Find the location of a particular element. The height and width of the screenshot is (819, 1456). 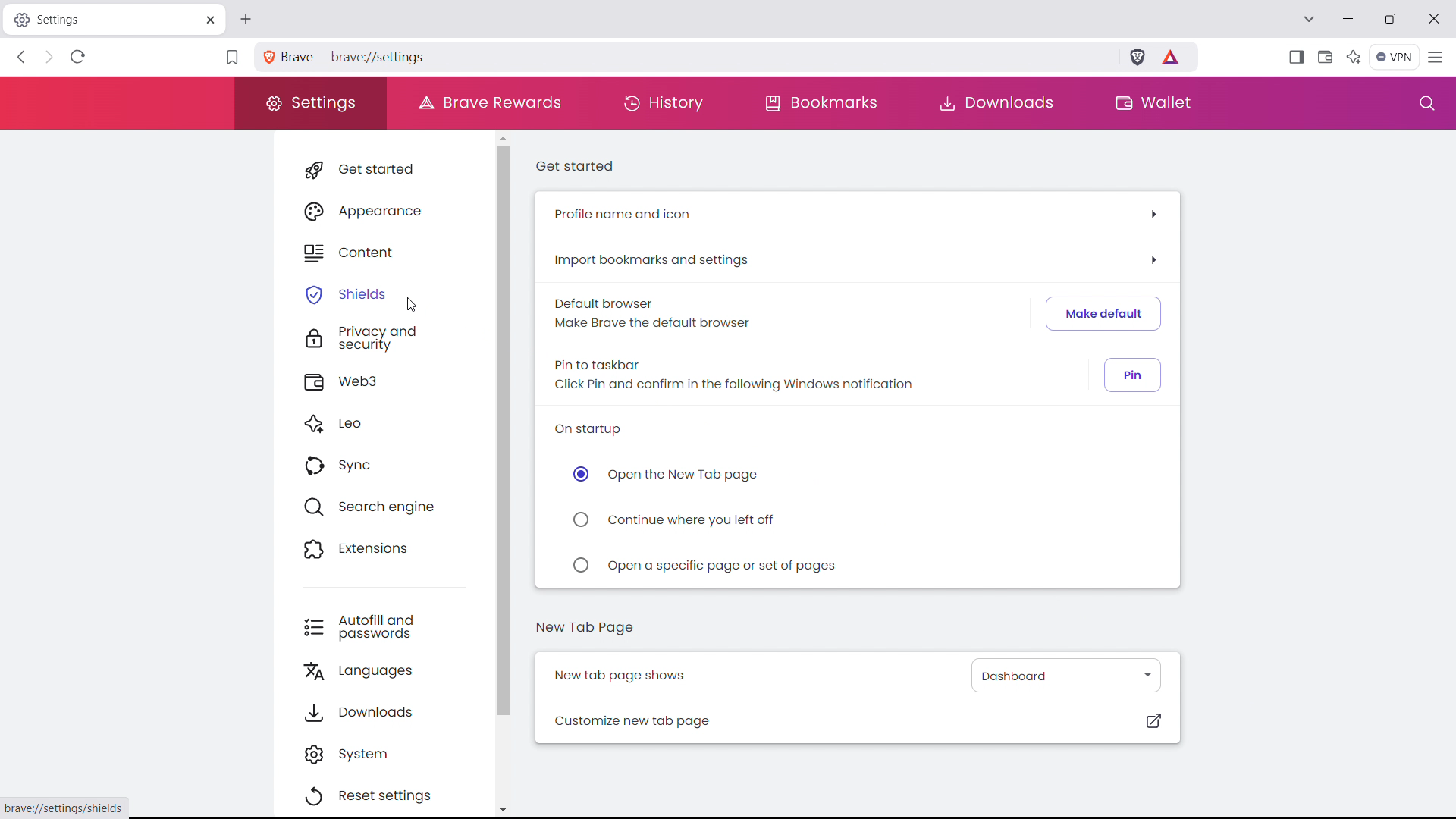

downloads is located at coordinates (382, 710).